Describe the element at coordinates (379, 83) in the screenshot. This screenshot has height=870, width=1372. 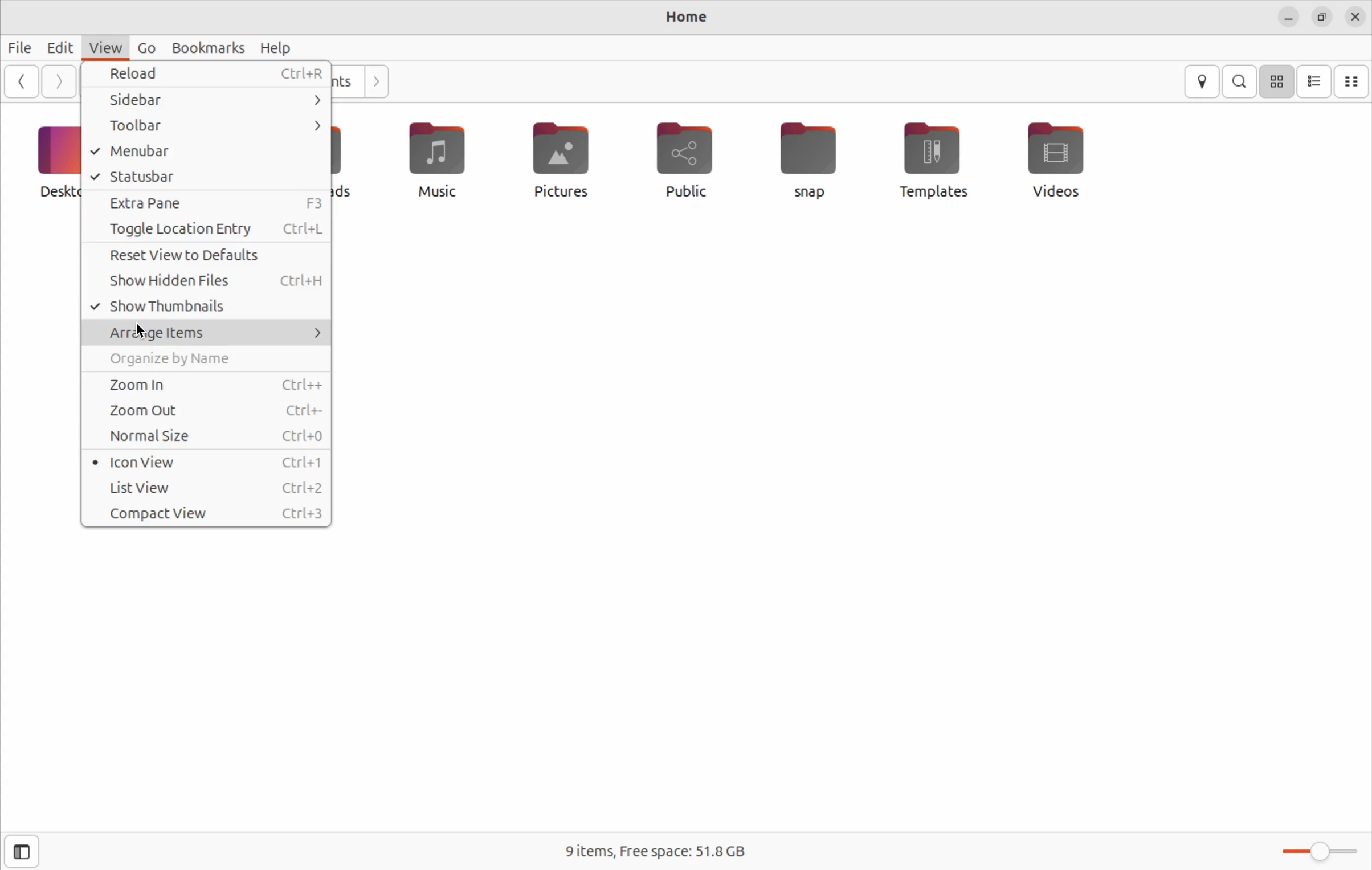
I see `Go next` at that location.